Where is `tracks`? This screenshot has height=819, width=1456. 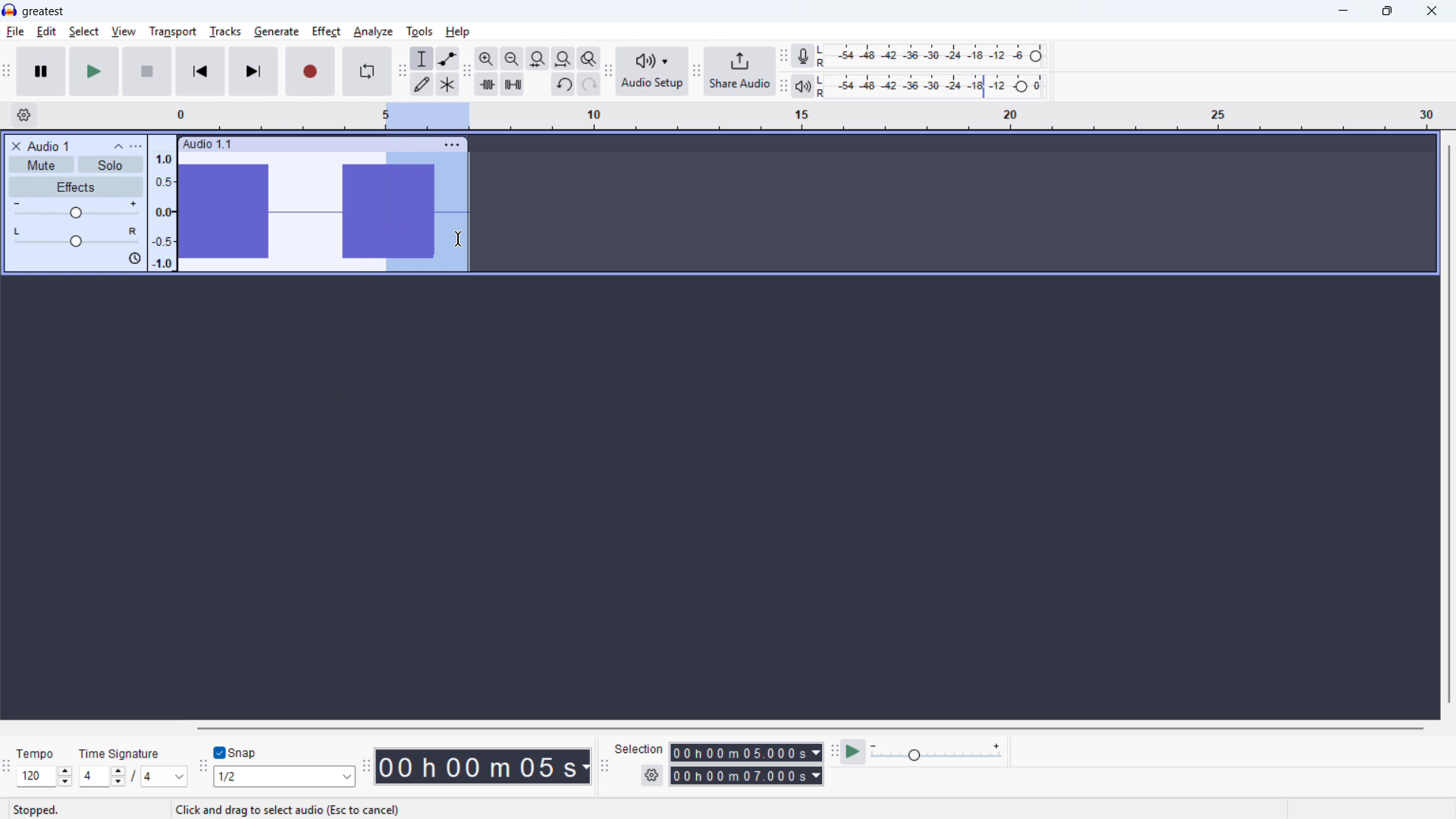 tracks is located at coordinates (226, 32).